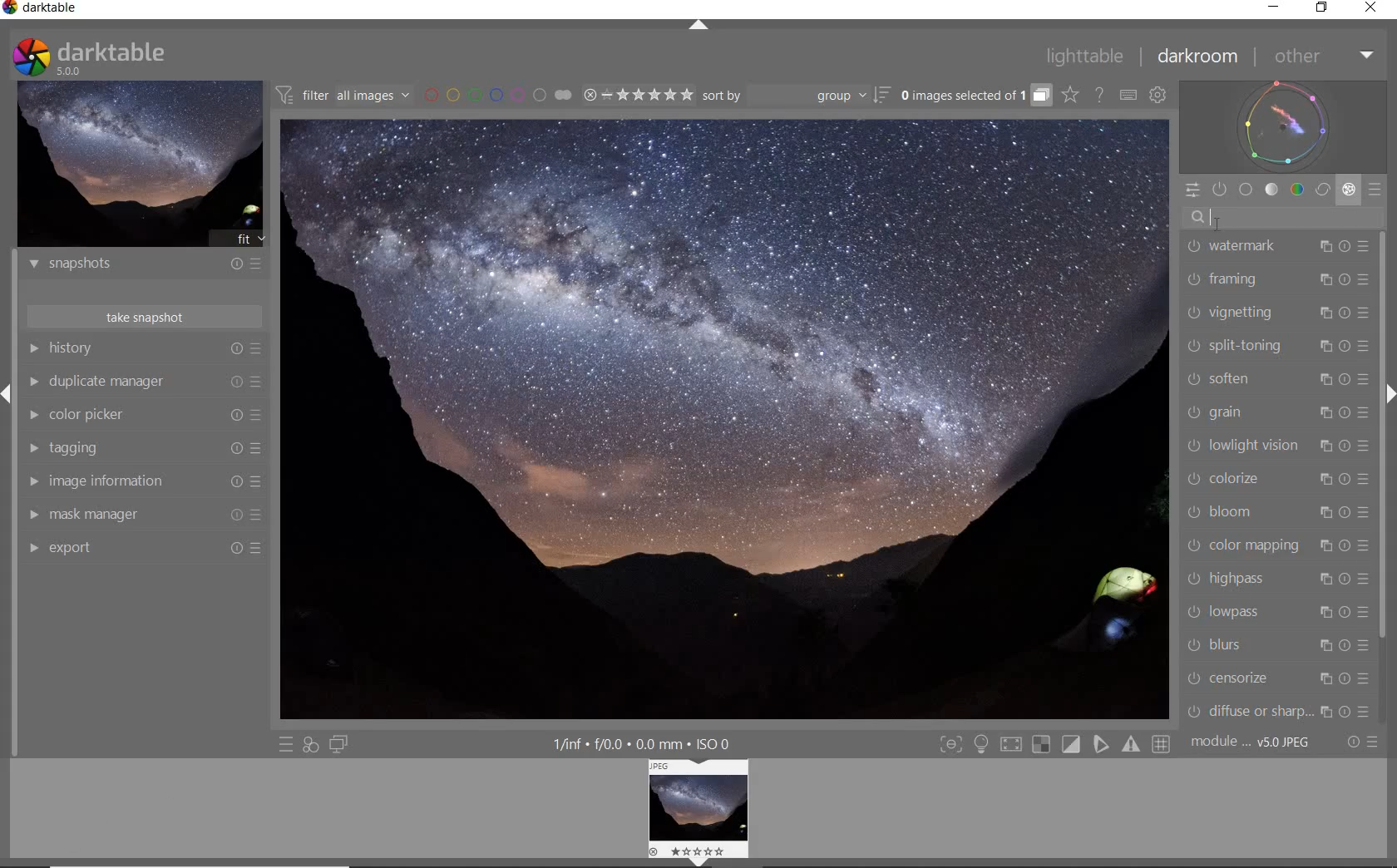 This screenshot has width=1397, height=868. Describe the element at coordinates (1322, 190) in the screenshot. I see `CORRECT` at that location.